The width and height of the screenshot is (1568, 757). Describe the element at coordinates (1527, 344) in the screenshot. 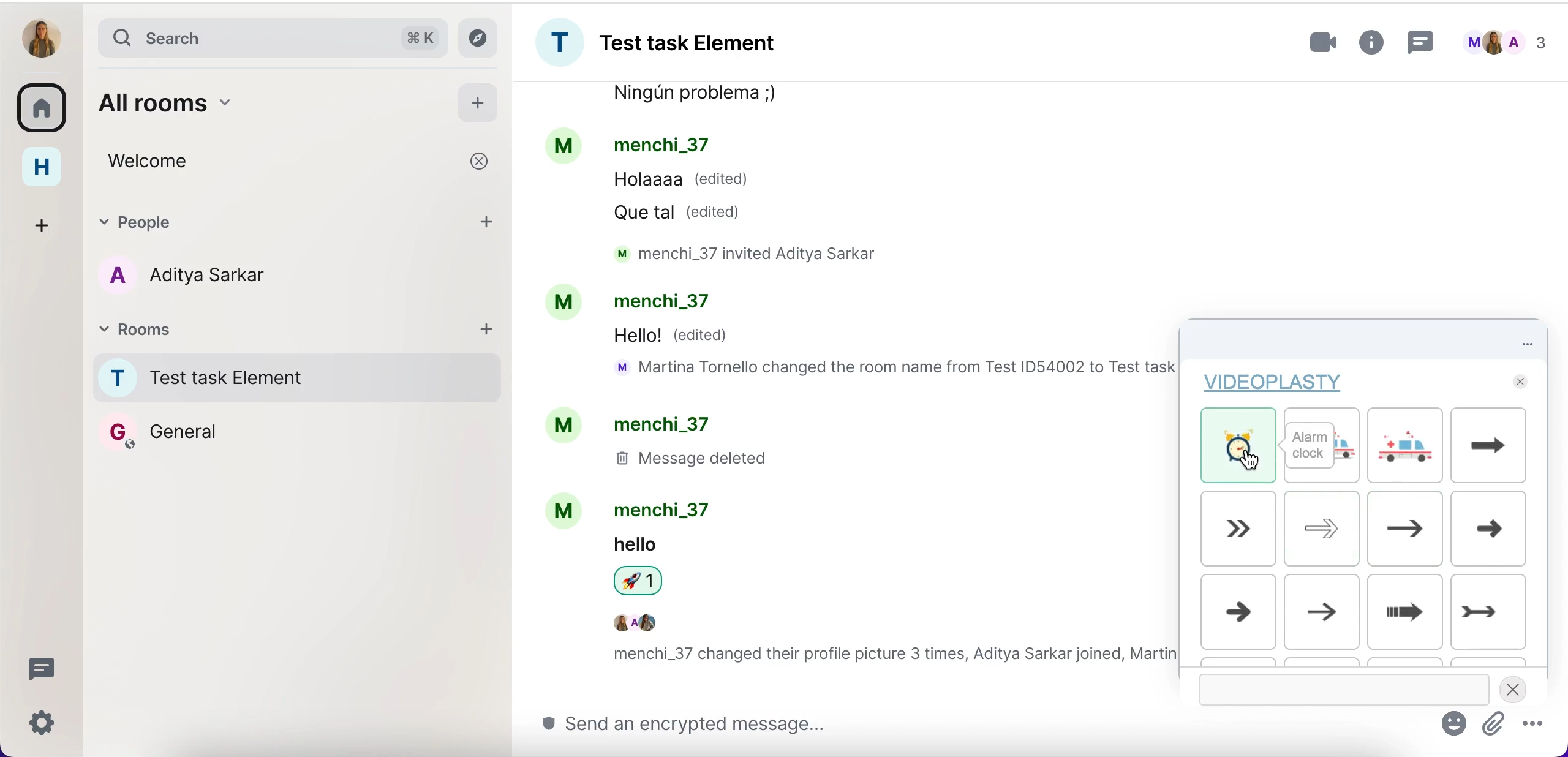

I see `options` at that location.